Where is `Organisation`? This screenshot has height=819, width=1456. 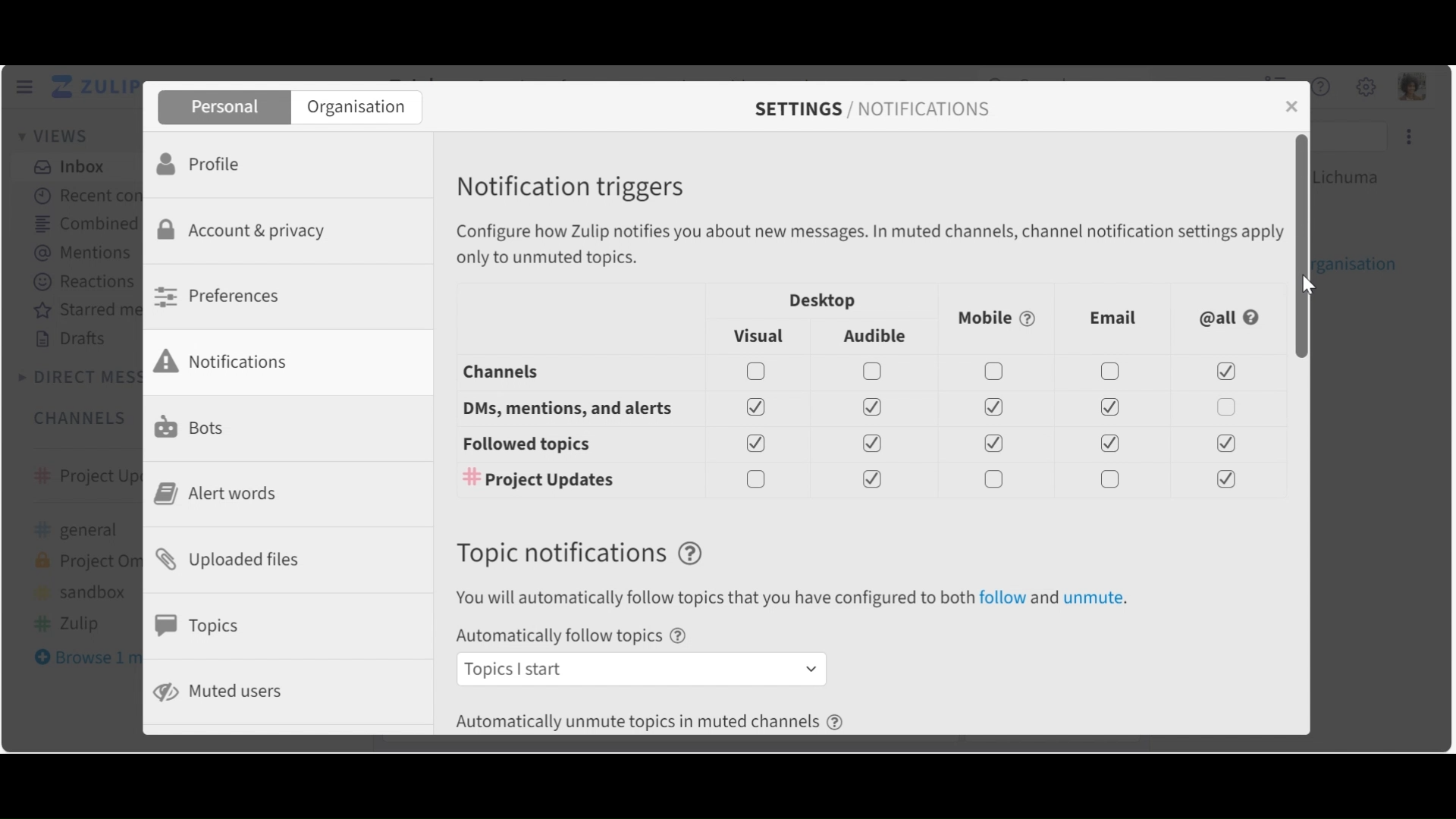
Organisation is located at coordinates (356, 108).